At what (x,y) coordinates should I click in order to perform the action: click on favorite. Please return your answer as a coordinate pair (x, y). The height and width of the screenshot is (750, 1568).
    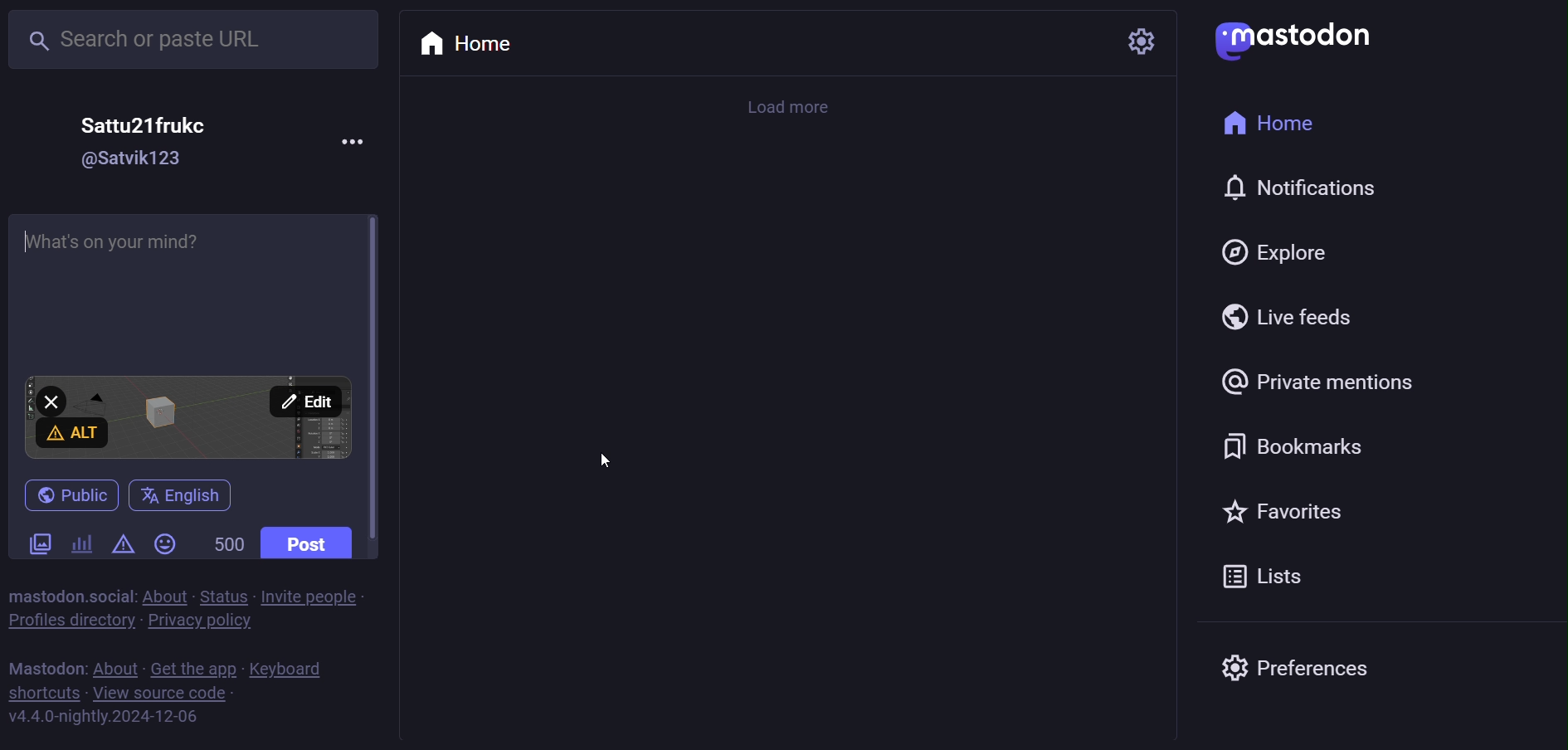
    Looking at the image, I should click on (1286, 514).